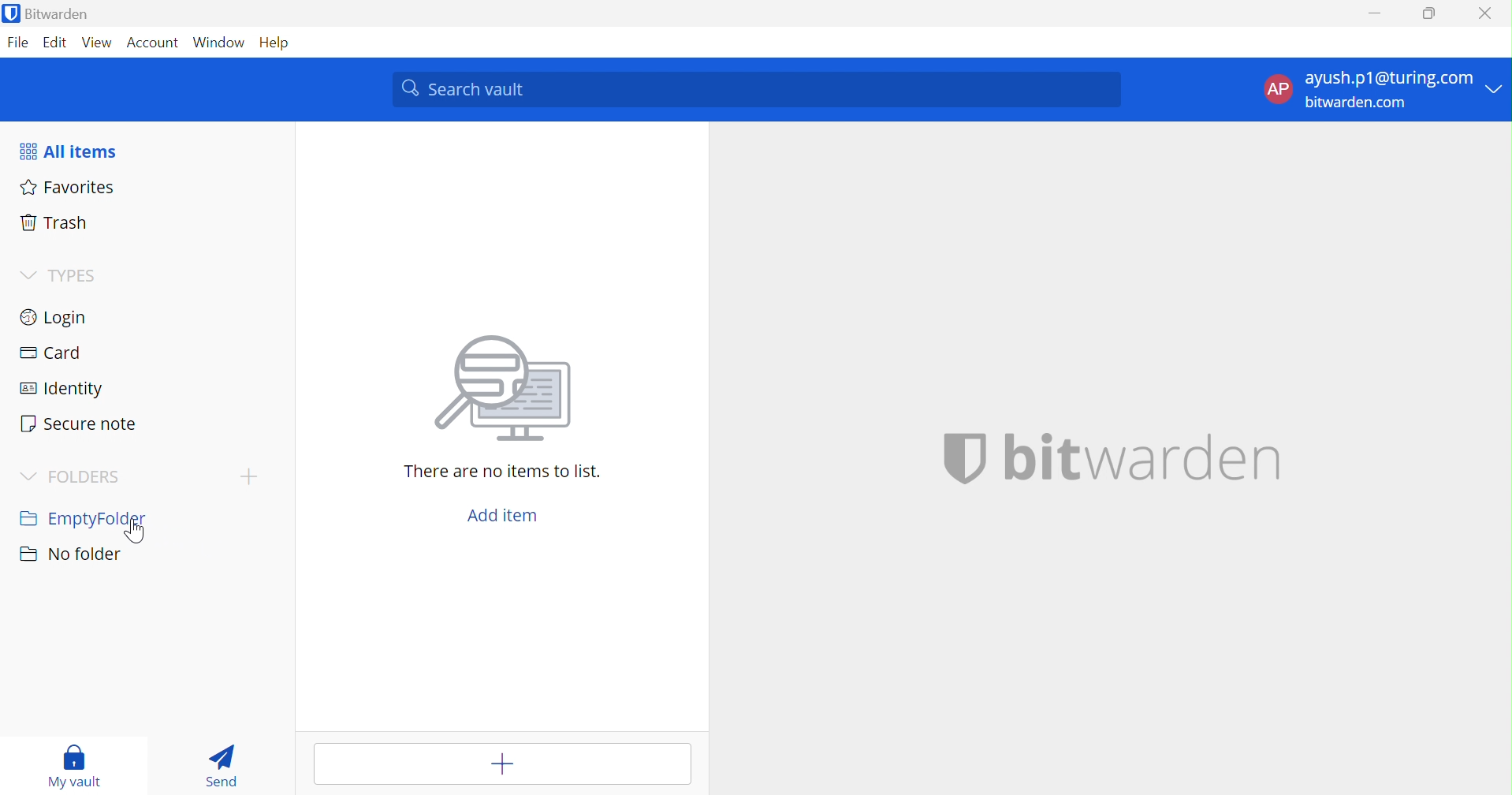 The image size is (1512, 795). What do you see at coordinates (757, 90) in the screenshot?
I see `Search Vault` at bounding box center [757, 90].